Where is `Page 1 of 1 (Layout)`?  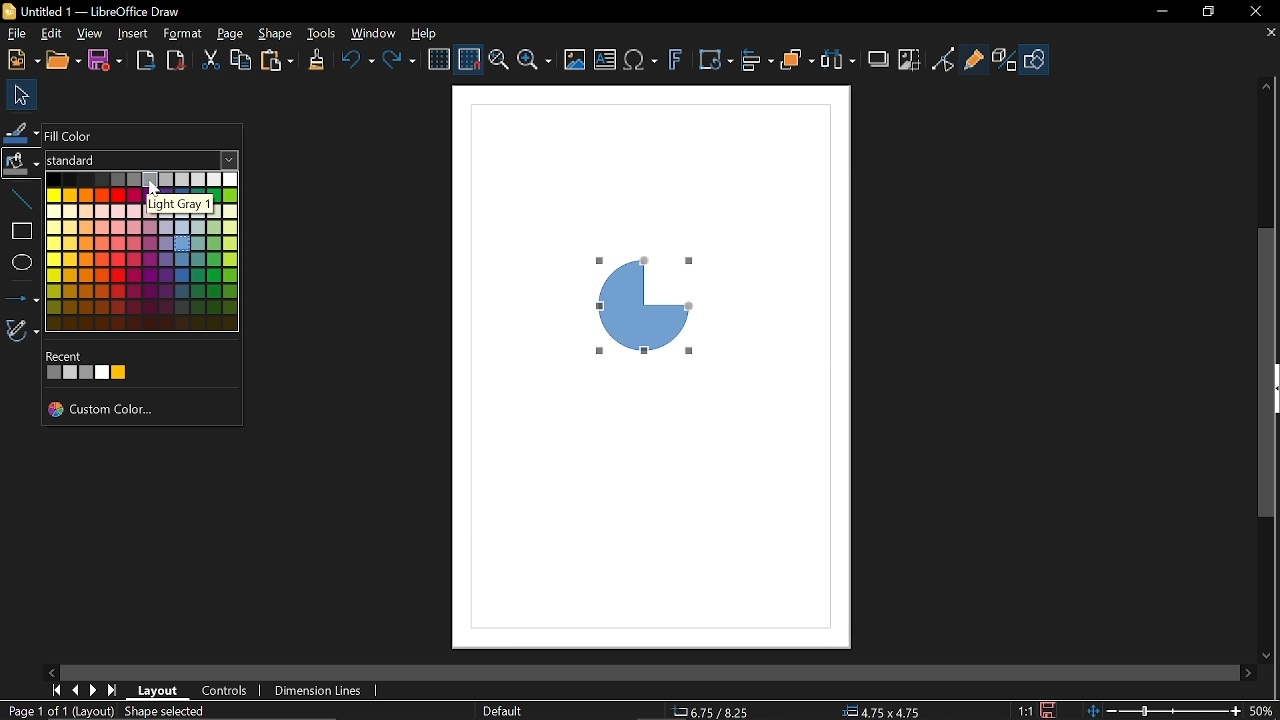
Page 1 of 1 (Layout) is located at coordinates (58, 710).